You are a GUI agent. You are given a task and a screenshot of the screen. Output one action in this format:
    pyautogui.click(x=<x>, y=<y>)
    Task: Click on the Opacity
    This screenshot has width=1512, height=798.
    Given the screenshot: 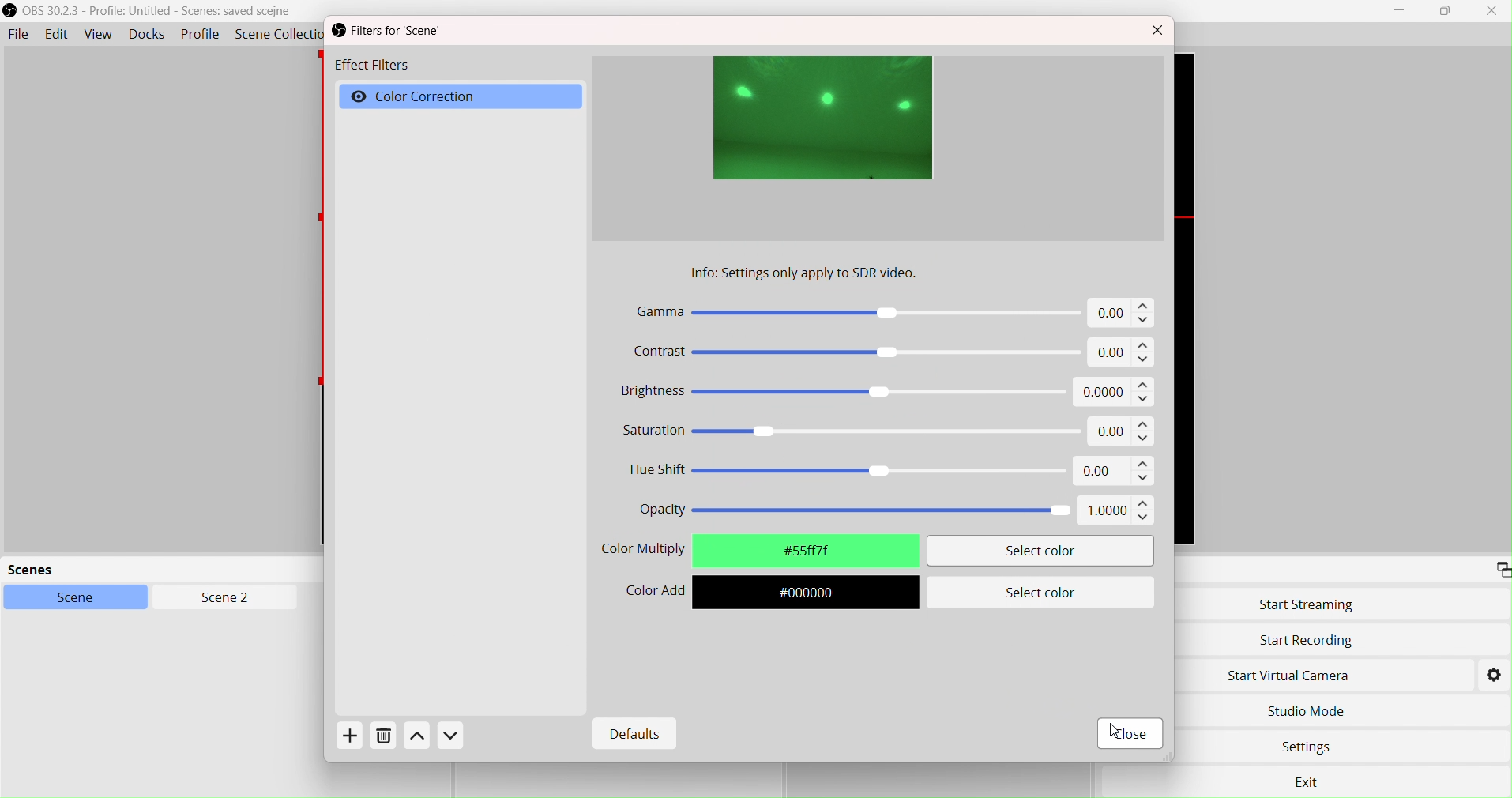 What is the action you would take?
    pyautogui.click(x=847, y=512)
    